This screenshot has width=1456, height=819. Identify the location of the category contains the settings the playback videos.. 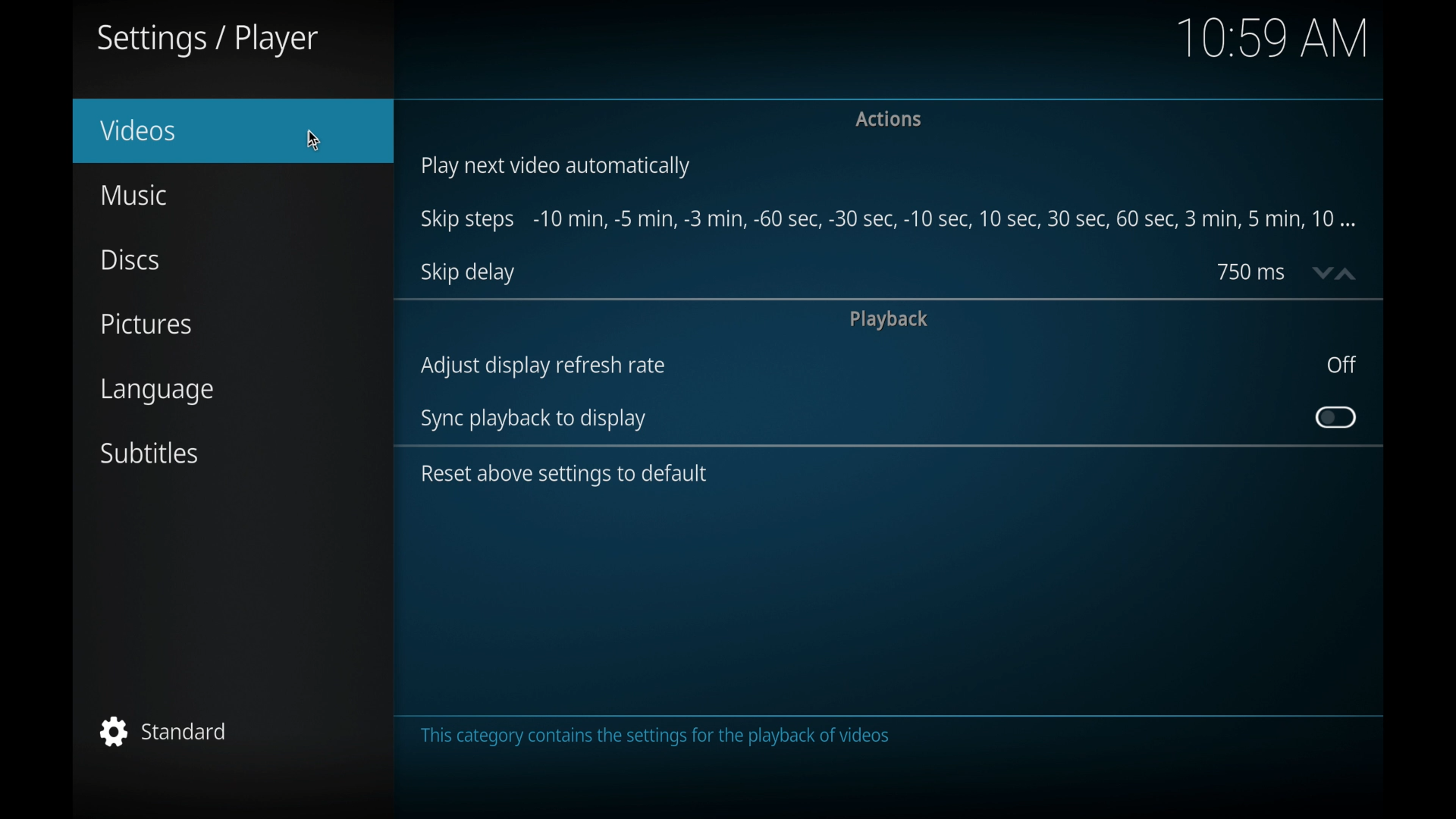
(652, 739).